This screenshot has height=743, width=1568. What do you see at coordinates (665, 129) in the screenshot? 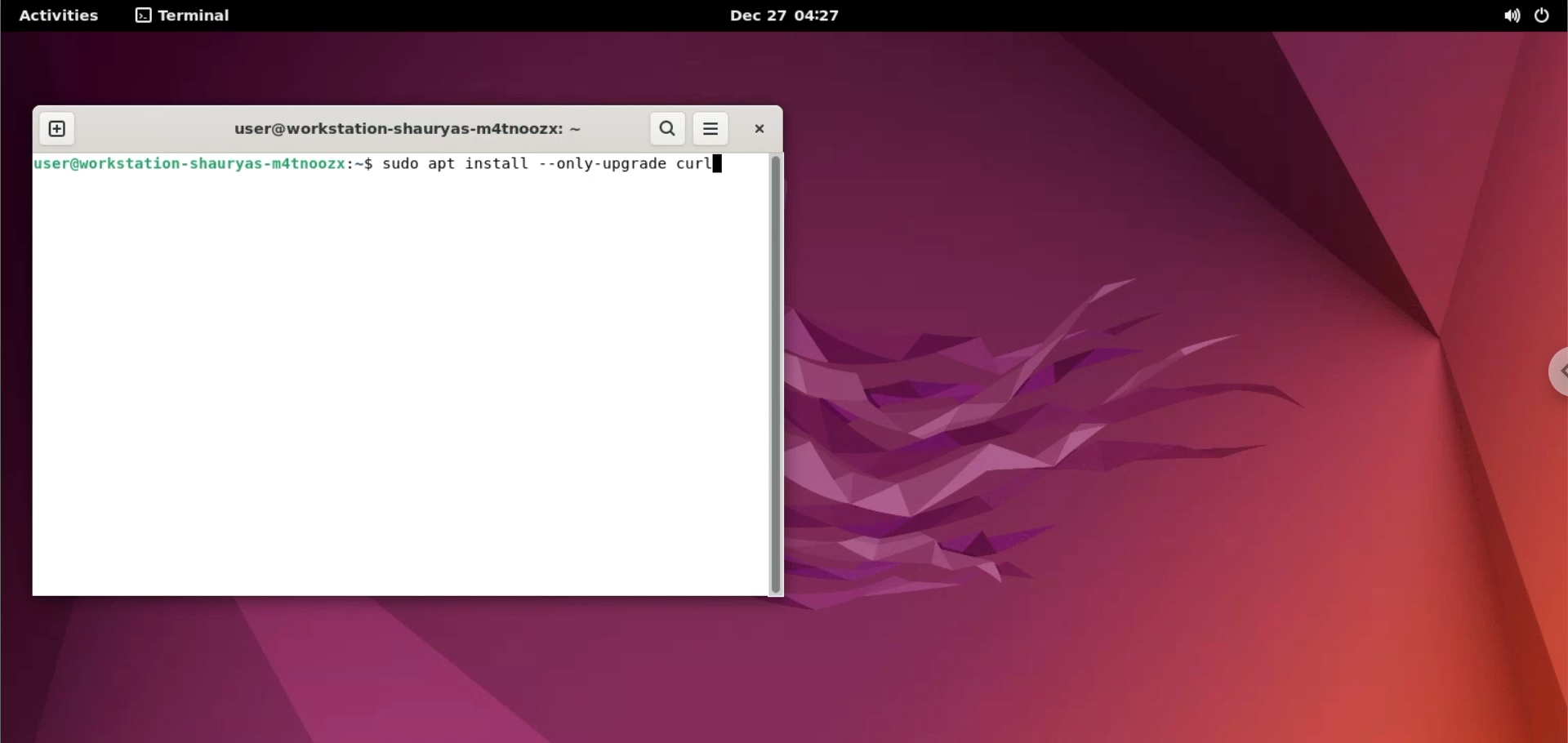
I see `search` at bounding box center [665, 129].